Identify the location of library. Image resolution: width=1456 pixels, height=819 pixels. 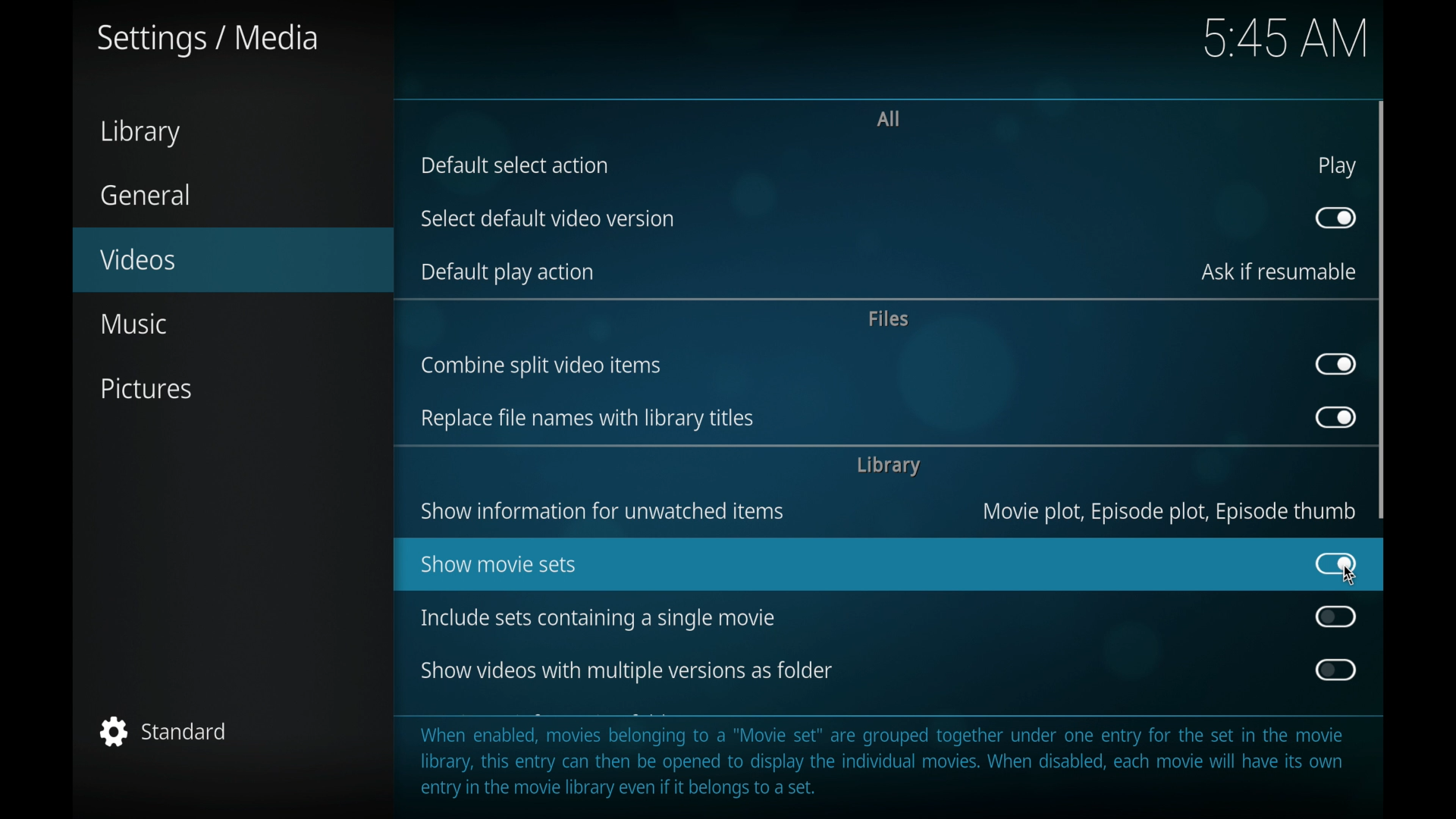
(888, 466).